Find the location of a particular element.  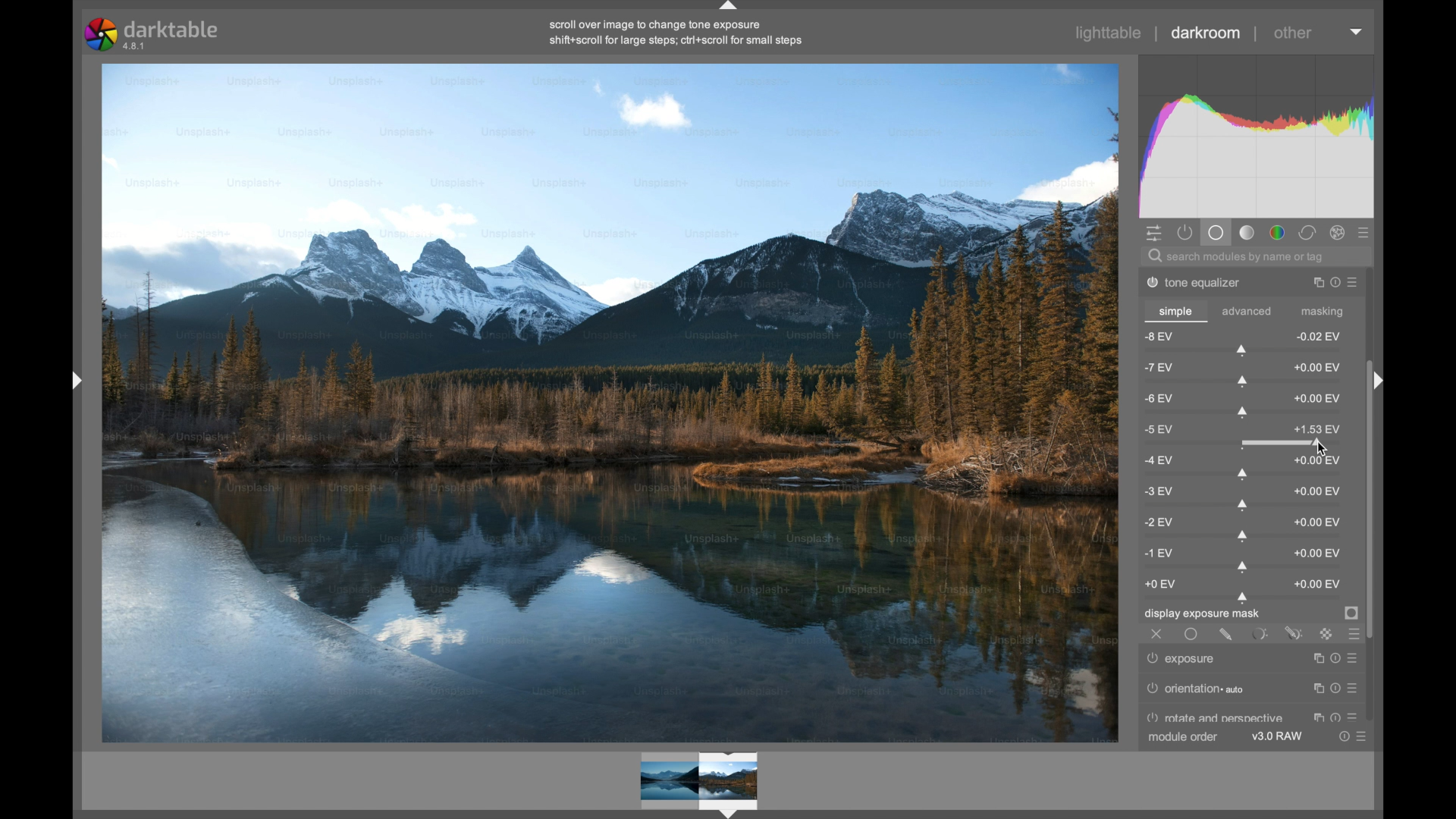

0.00 ev is located at coordinates (1318, 398).